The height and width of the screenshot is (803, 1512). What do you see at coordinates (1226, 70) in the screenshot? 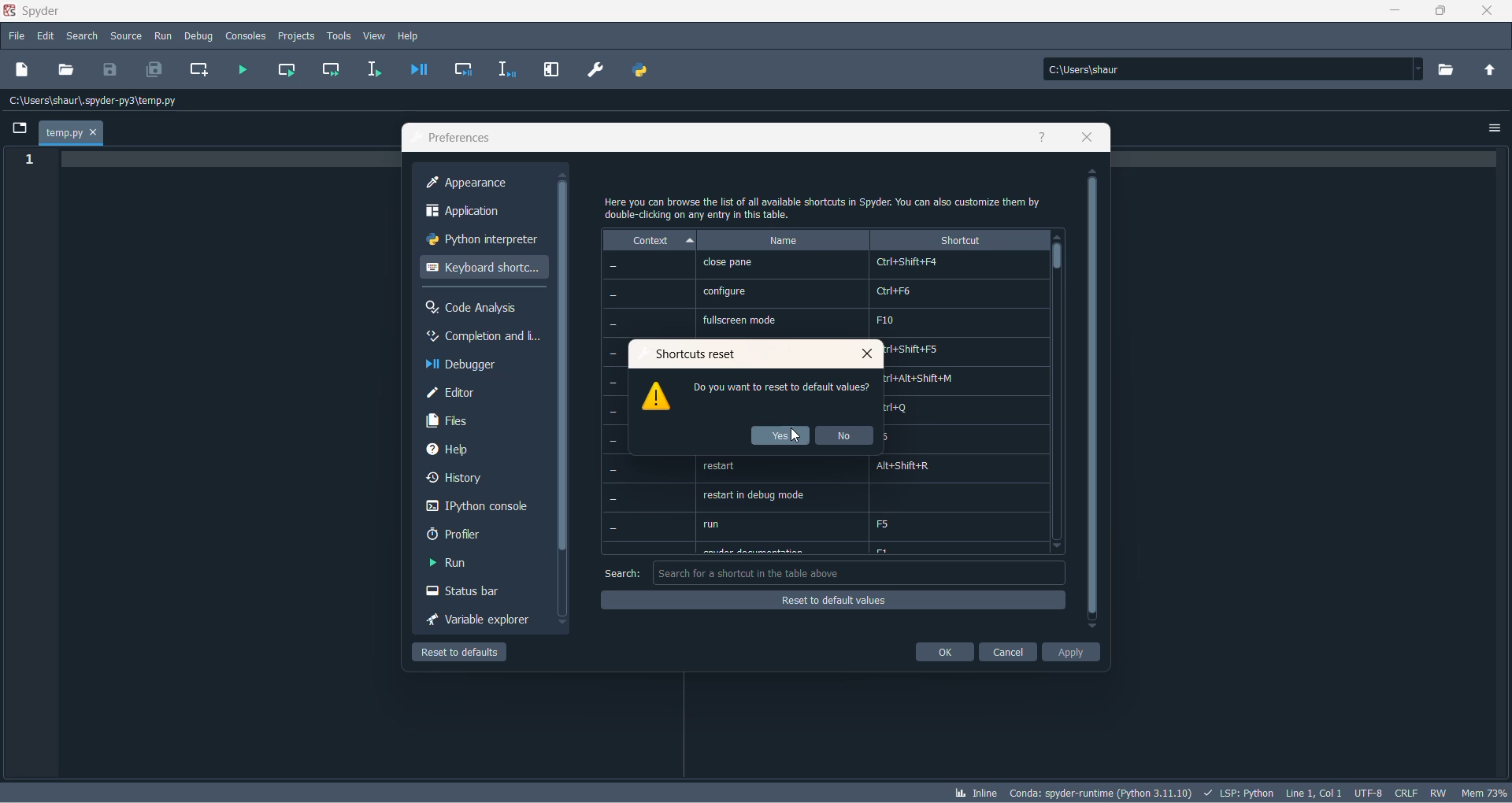
I see `path` at bounding box center [1226, 70].